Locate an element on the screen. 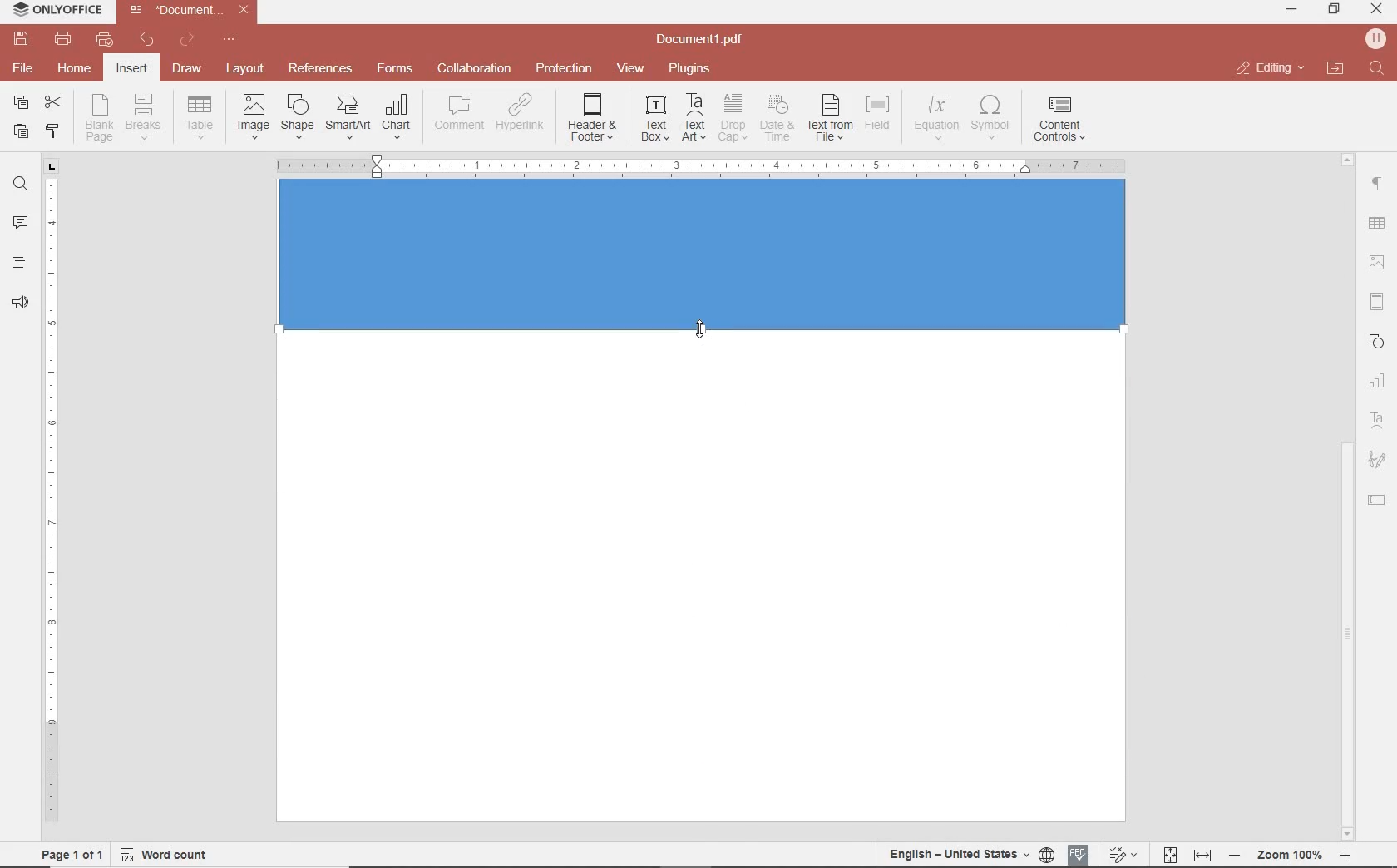 Image resolution: width=1397 pixels, height=868 pixels. ADD HYPERLINK is located at coordinates (521, 116).